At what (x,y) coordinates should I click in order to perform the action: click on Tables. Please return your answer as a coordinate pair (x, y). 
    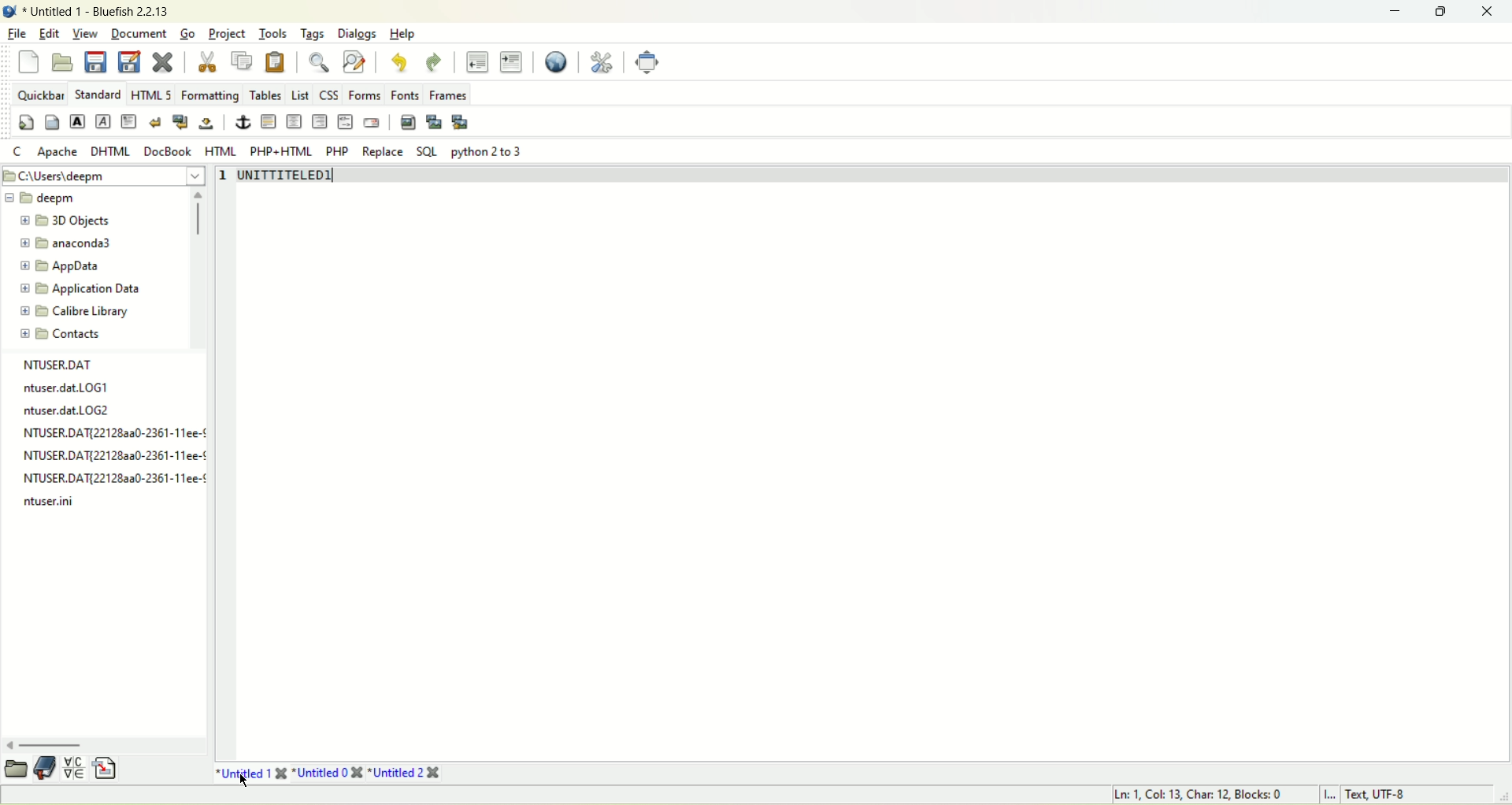
    Looking at the image, I should click on (266, 95).